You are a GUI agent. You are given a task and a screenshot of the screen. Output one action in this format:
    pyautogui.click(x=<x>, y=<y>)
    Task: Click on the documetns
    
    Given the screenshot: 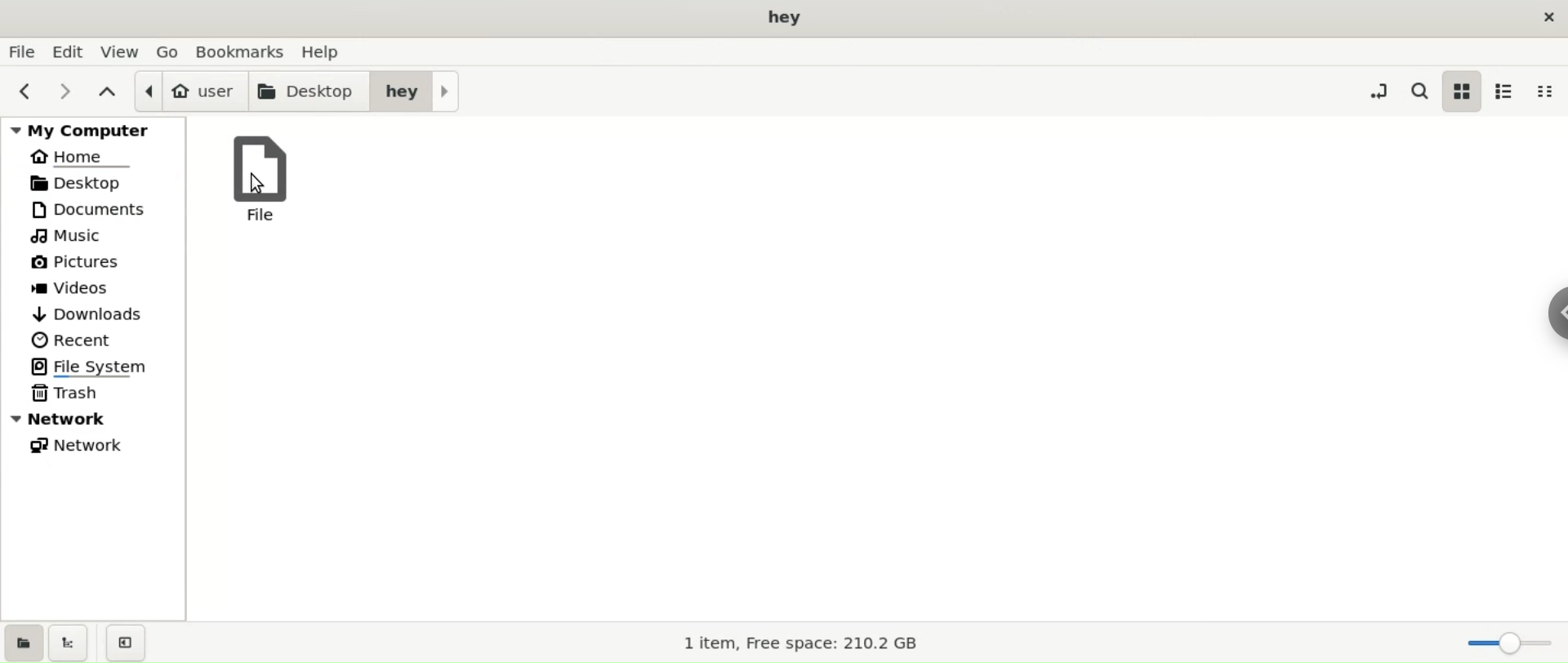 What is the action you would take?
    pyautogui.click(x=93, y=211)
    